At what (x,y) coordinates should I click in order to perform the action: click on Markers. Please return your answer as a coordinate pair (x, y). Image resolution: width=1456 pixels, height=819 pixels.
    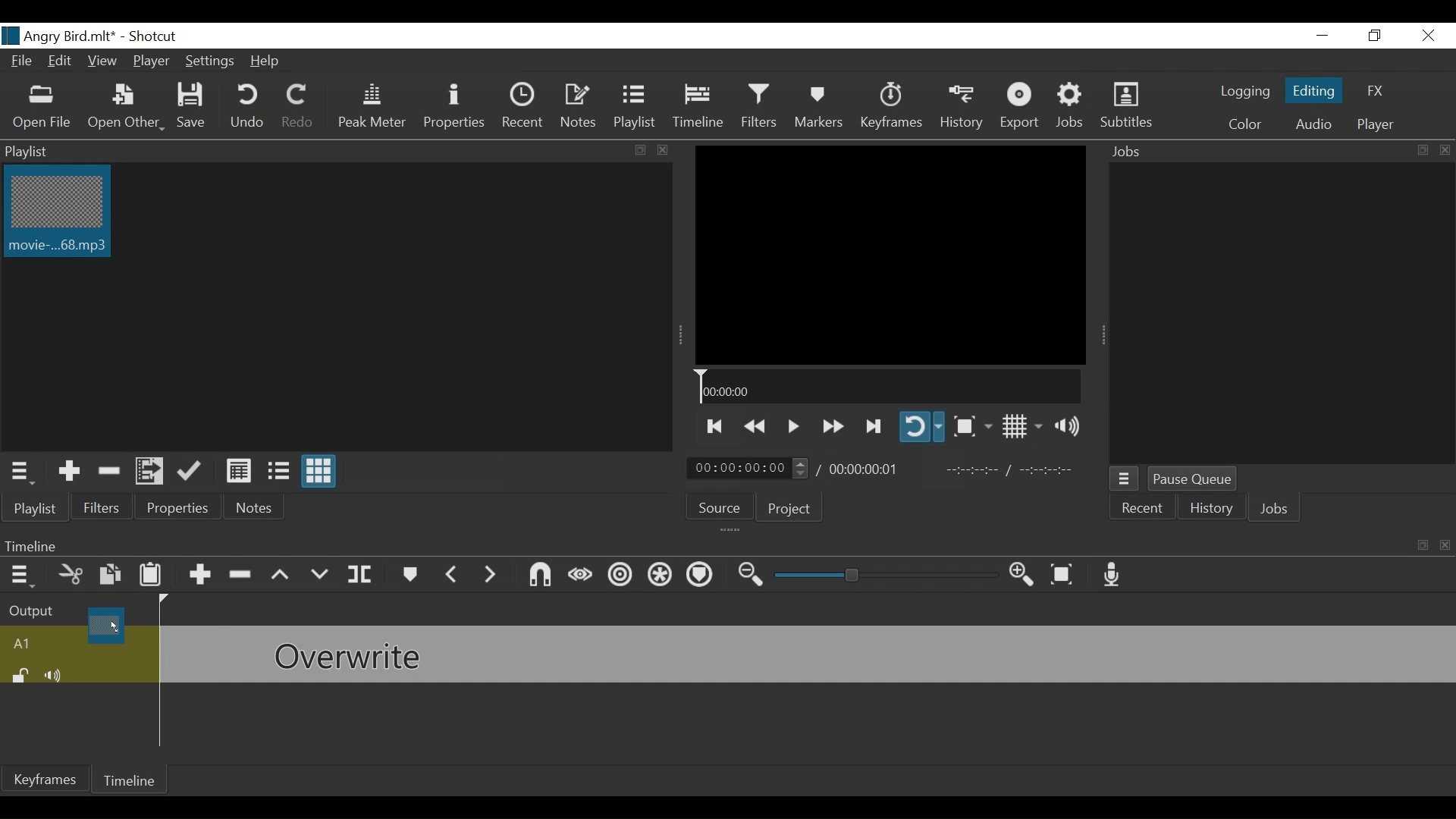
    Looking at the image, I should click on (409, 573).